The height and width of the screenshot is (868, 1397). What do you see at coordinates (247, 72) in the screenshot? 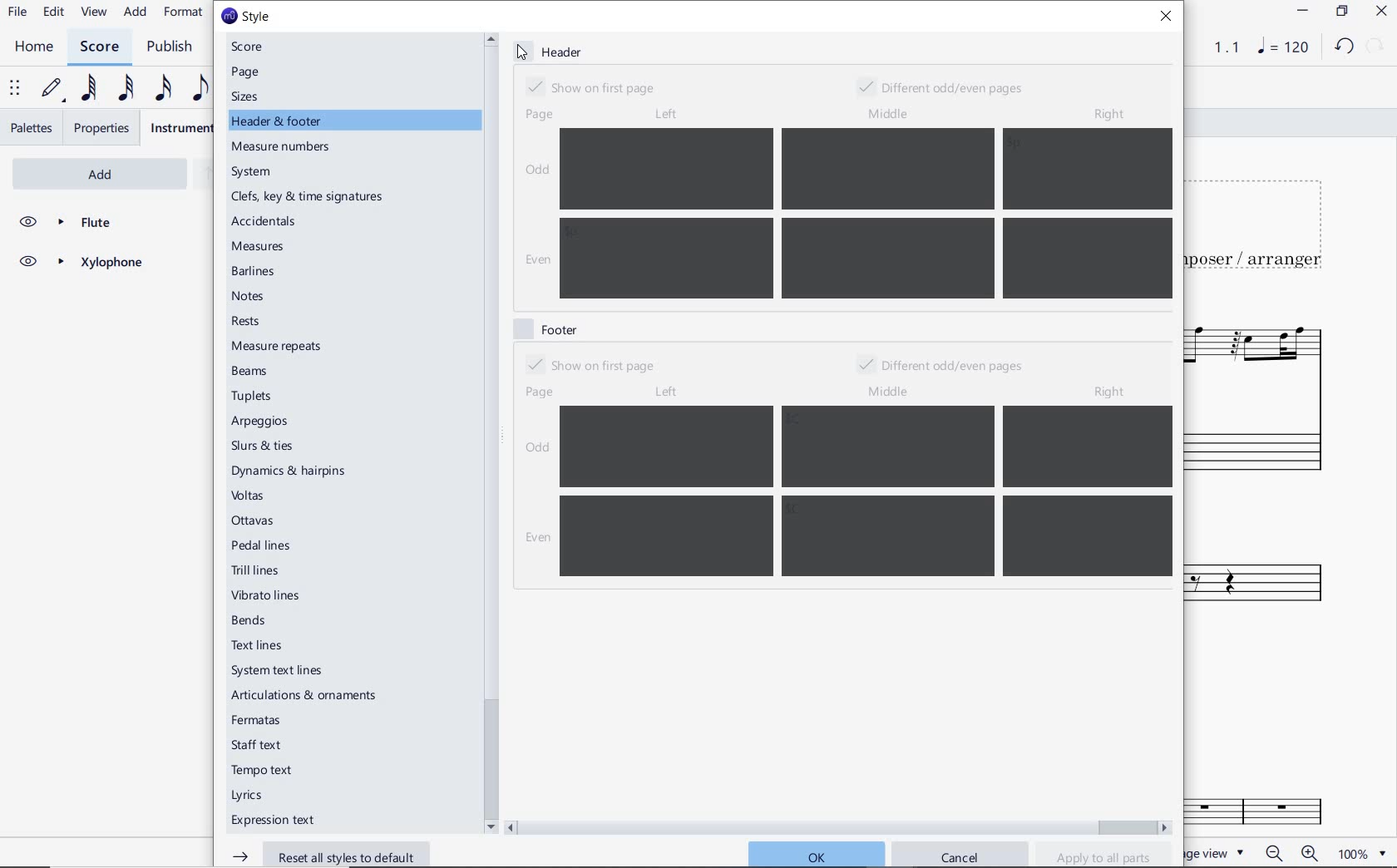
I see `page` at bounding box center [247, 72].